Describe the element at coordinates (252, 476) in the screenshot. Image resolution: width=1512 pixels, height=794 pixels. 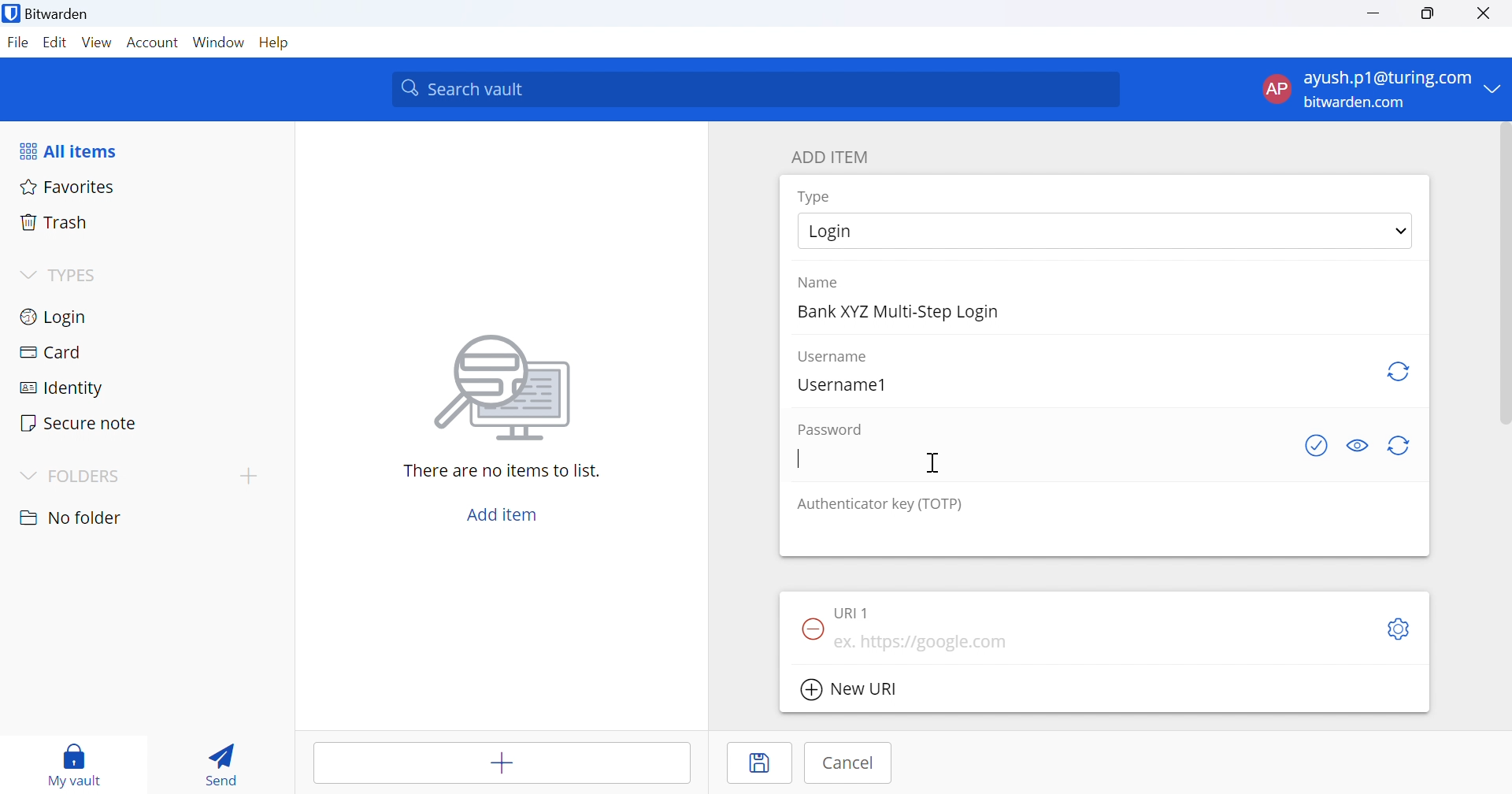
I see `add folder` at that location.